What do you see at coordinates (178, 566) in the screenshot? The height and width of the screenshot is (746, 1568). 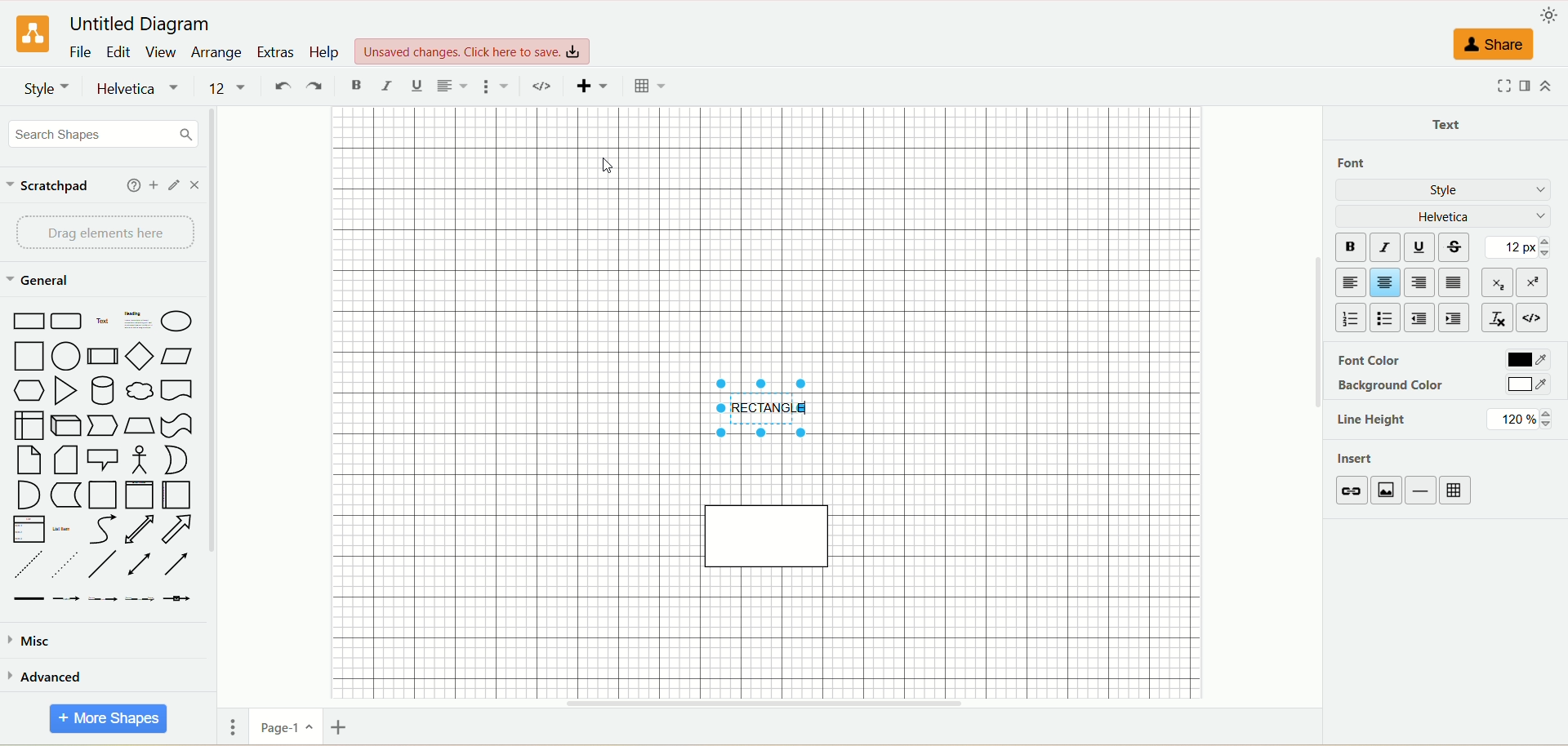 I see `directional connector` at bounding box center [178, 566].